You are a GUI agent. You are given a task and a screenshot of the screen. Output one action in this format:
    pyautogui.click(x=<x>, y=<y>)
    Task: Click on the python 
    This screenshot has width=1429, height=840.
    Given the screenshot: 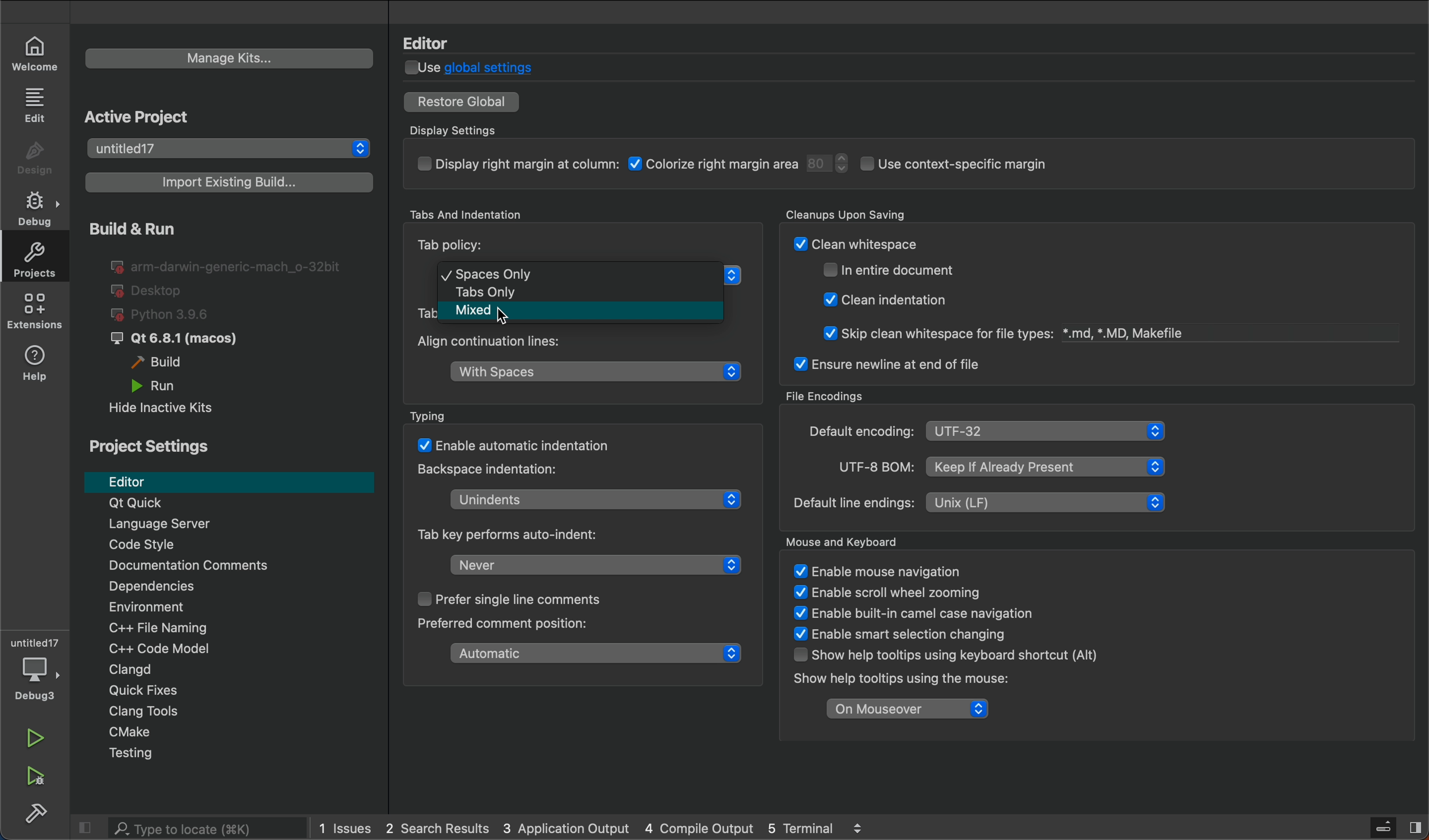 What is the action you would take?
    pyautogui.click(x=173, y=313)
    